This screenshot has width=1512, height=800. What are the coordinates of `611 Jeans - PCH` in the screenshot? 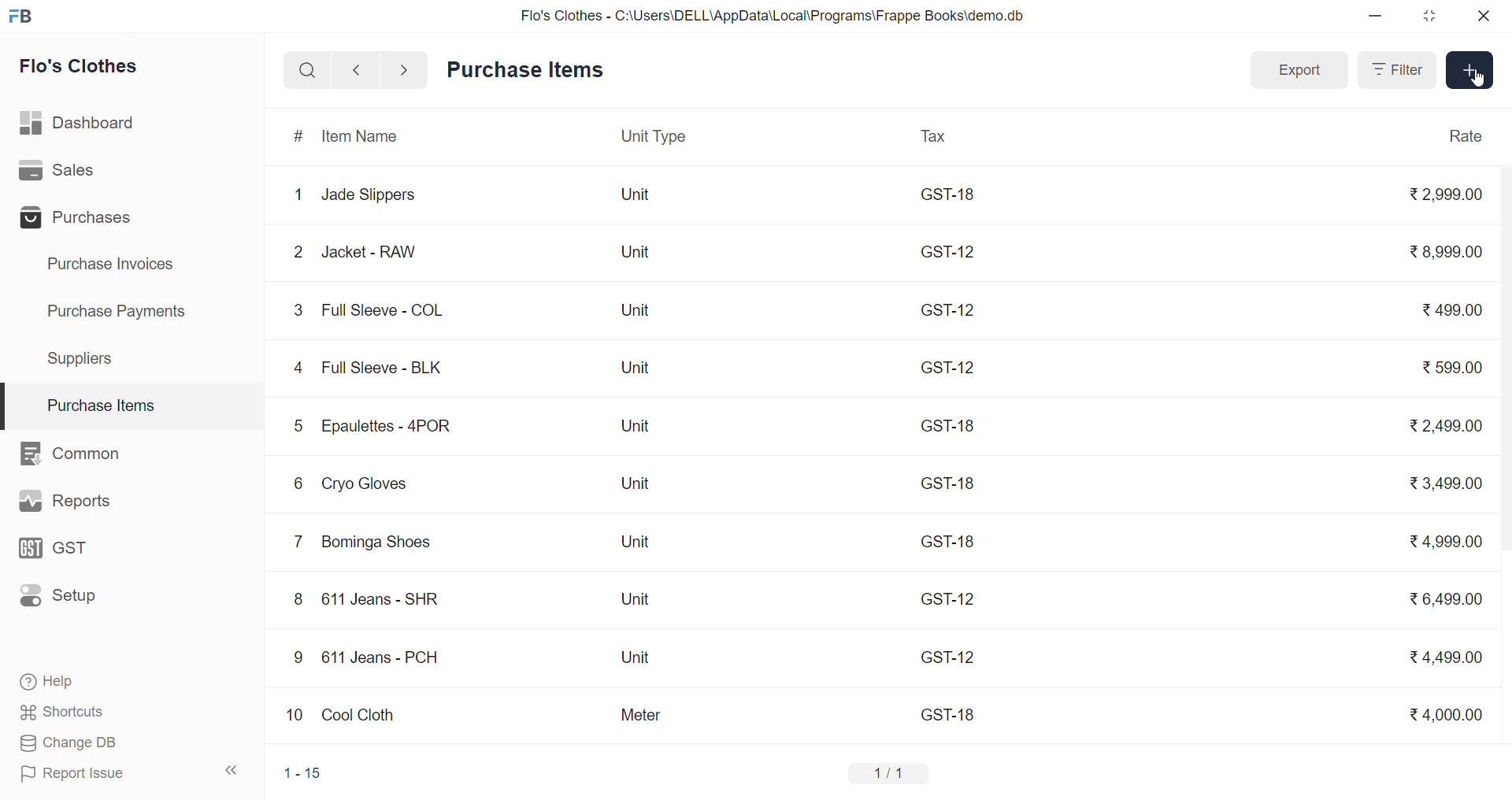 It's located at (383, 655).